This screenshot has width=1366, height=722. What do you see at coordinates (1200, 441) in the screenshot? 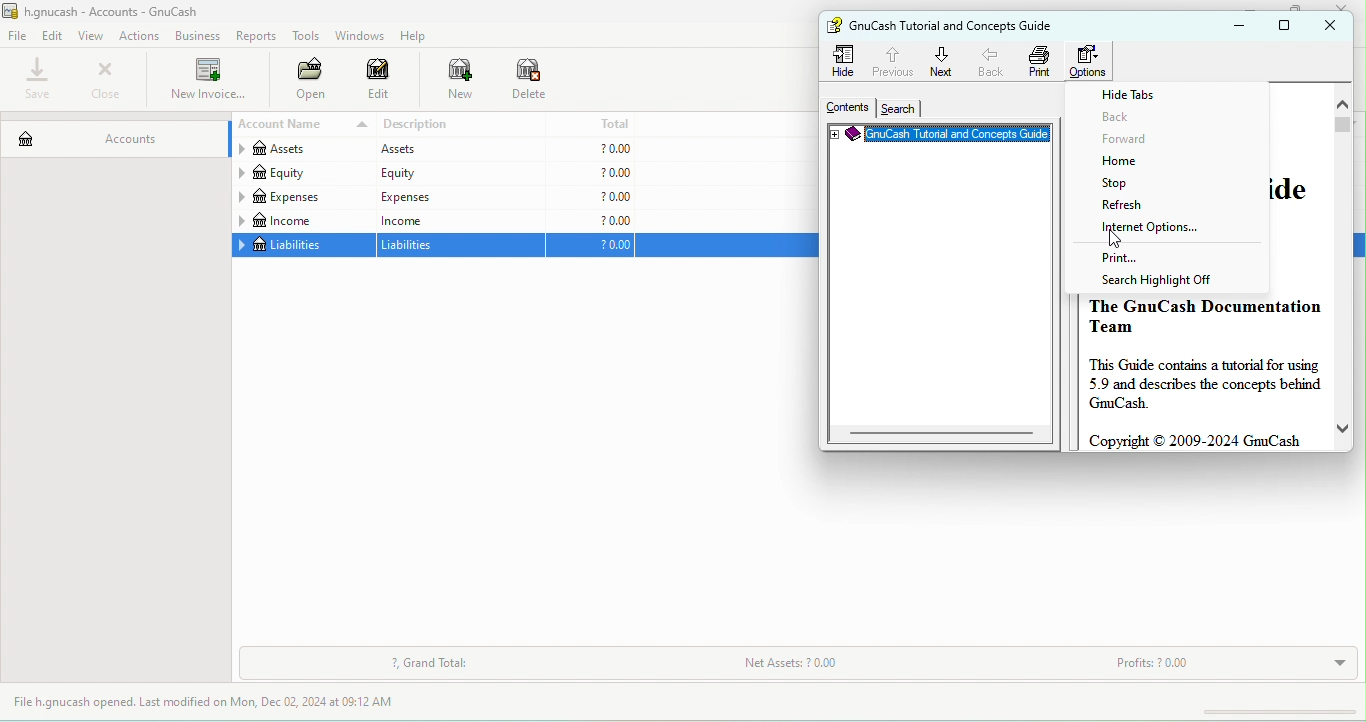
I see `copyright c 2009-2024 gnucash` at bounding box center [1200, 441].